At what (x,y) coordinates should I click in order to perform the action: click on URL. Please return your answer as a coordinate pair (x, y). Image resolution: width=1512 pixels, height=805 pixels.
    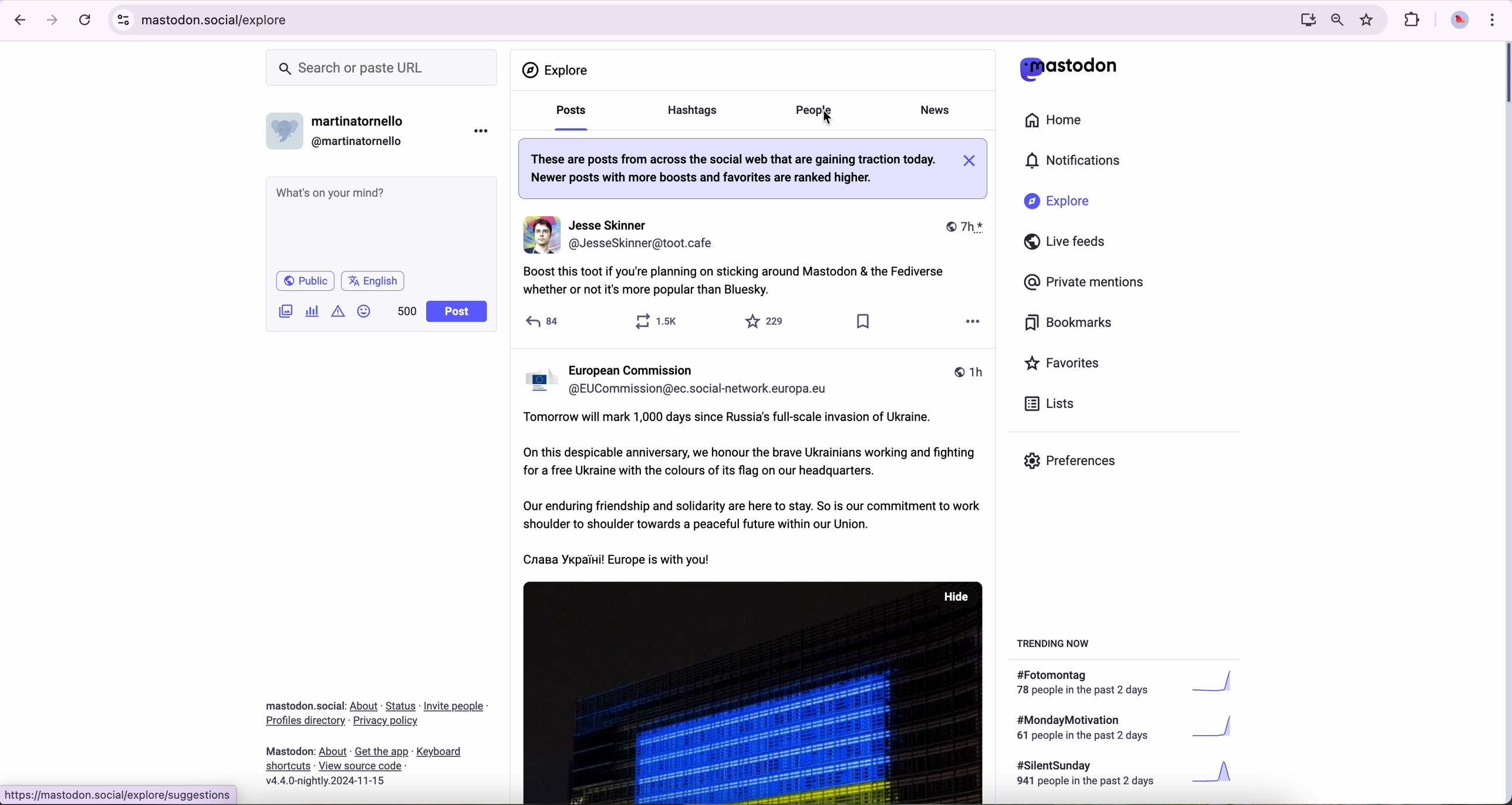
    Looking at the image, I should click on (119, 795).